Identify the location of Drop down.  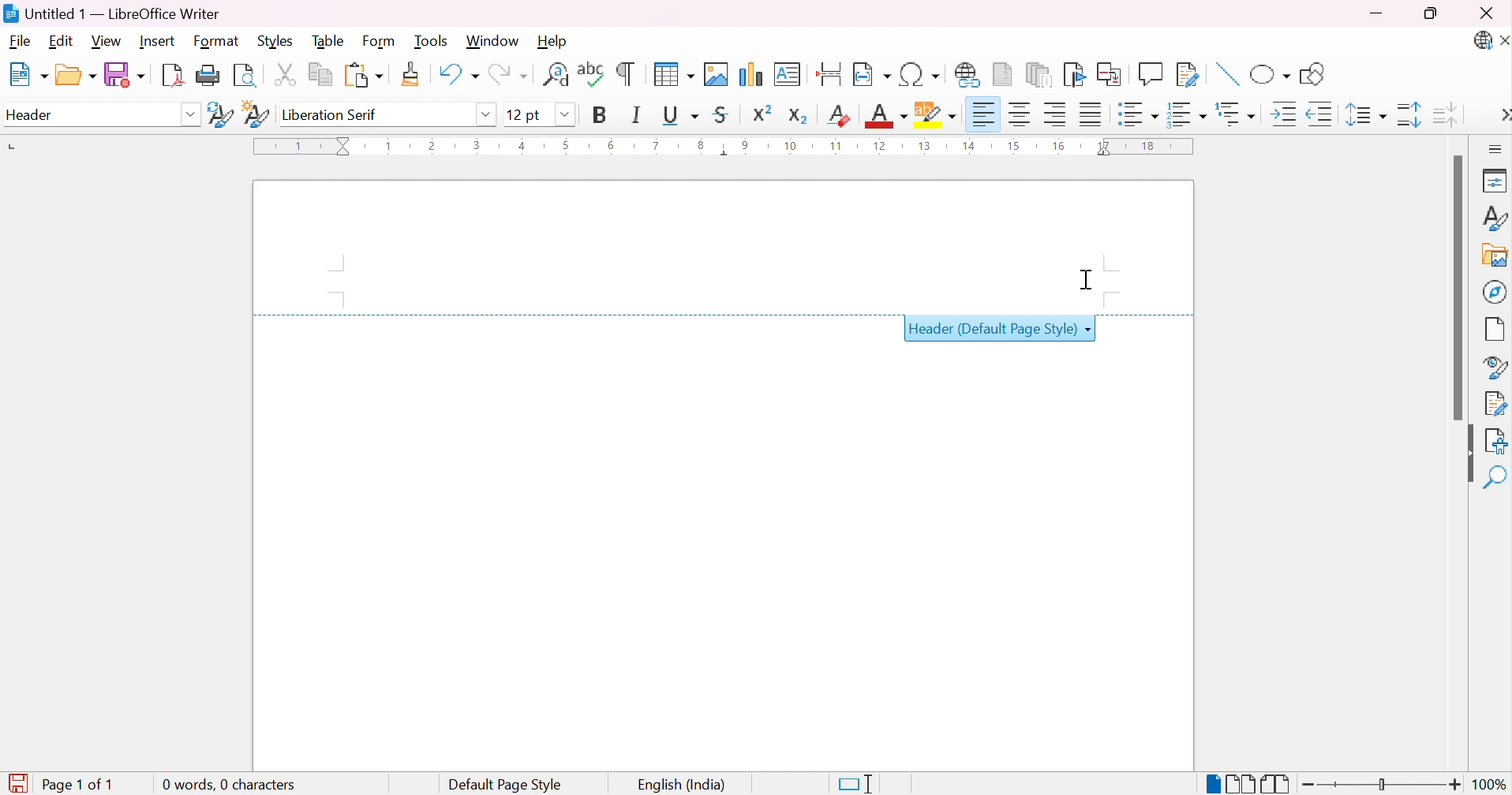
(489, 117).